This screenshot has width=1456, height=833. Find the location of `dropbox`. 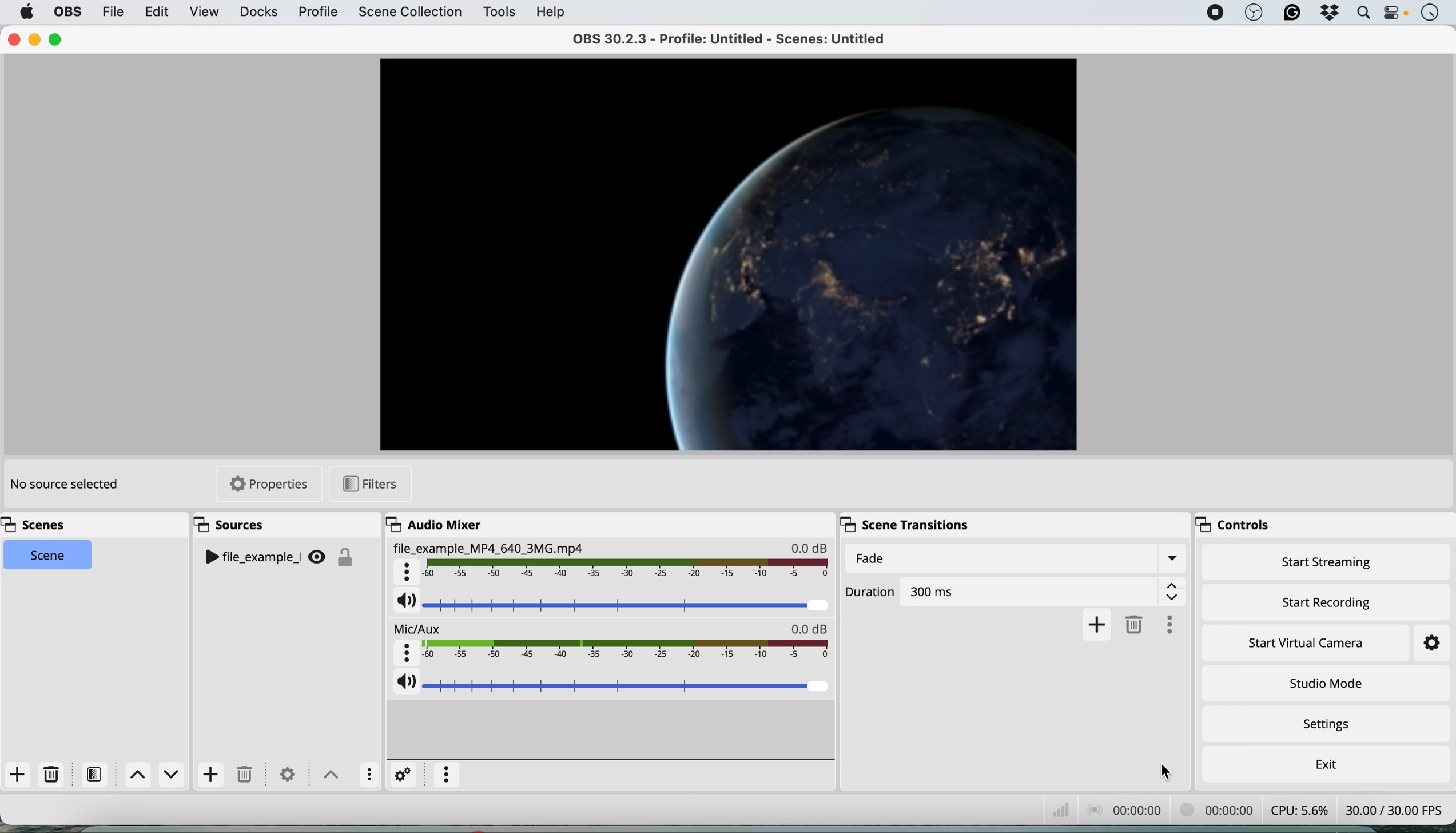

dropbox is located at coordinates (1328, 14).